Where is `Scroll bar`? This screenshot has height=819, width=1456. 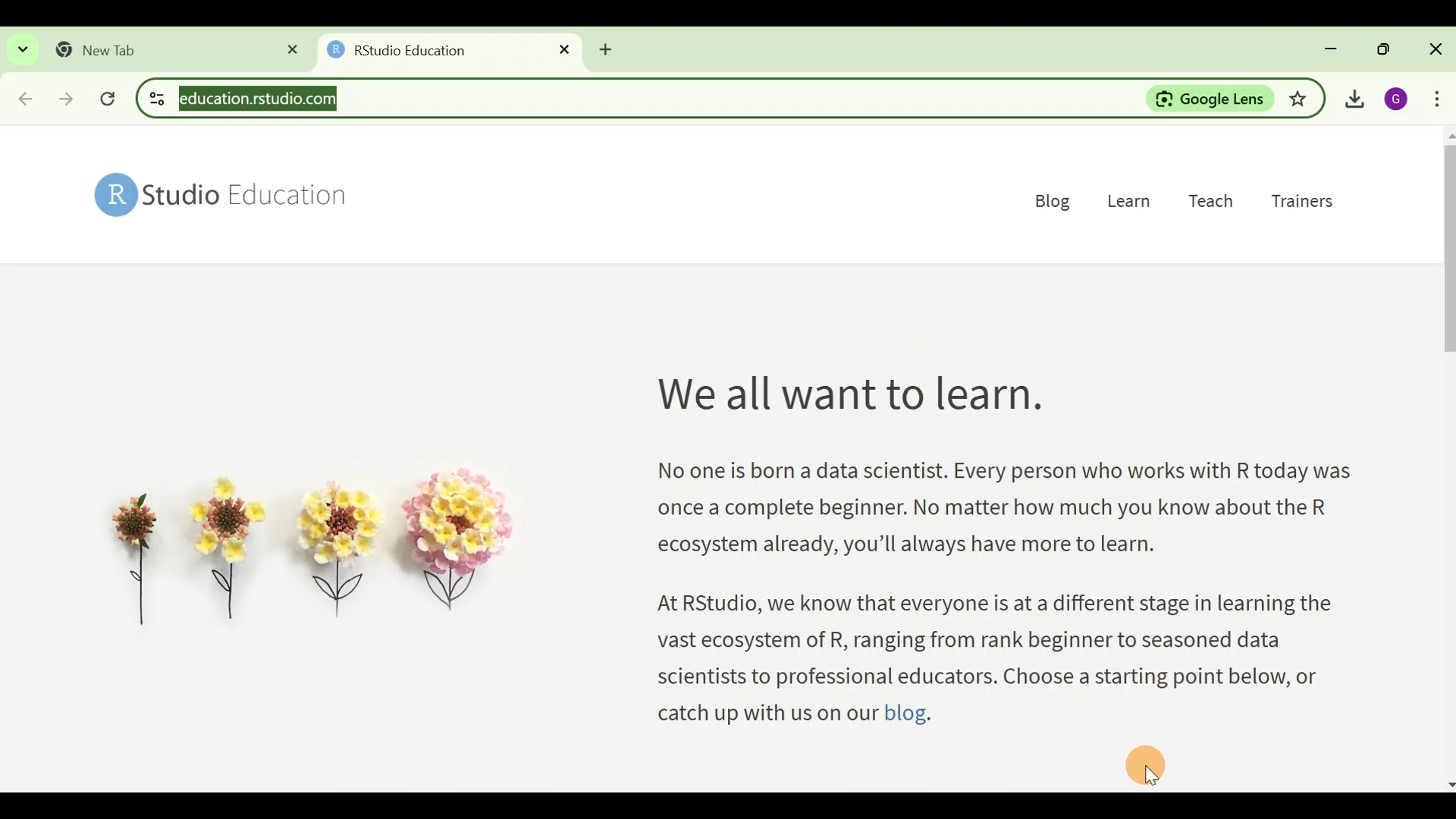 Scroll bar is located at coordinates (1447, 457).